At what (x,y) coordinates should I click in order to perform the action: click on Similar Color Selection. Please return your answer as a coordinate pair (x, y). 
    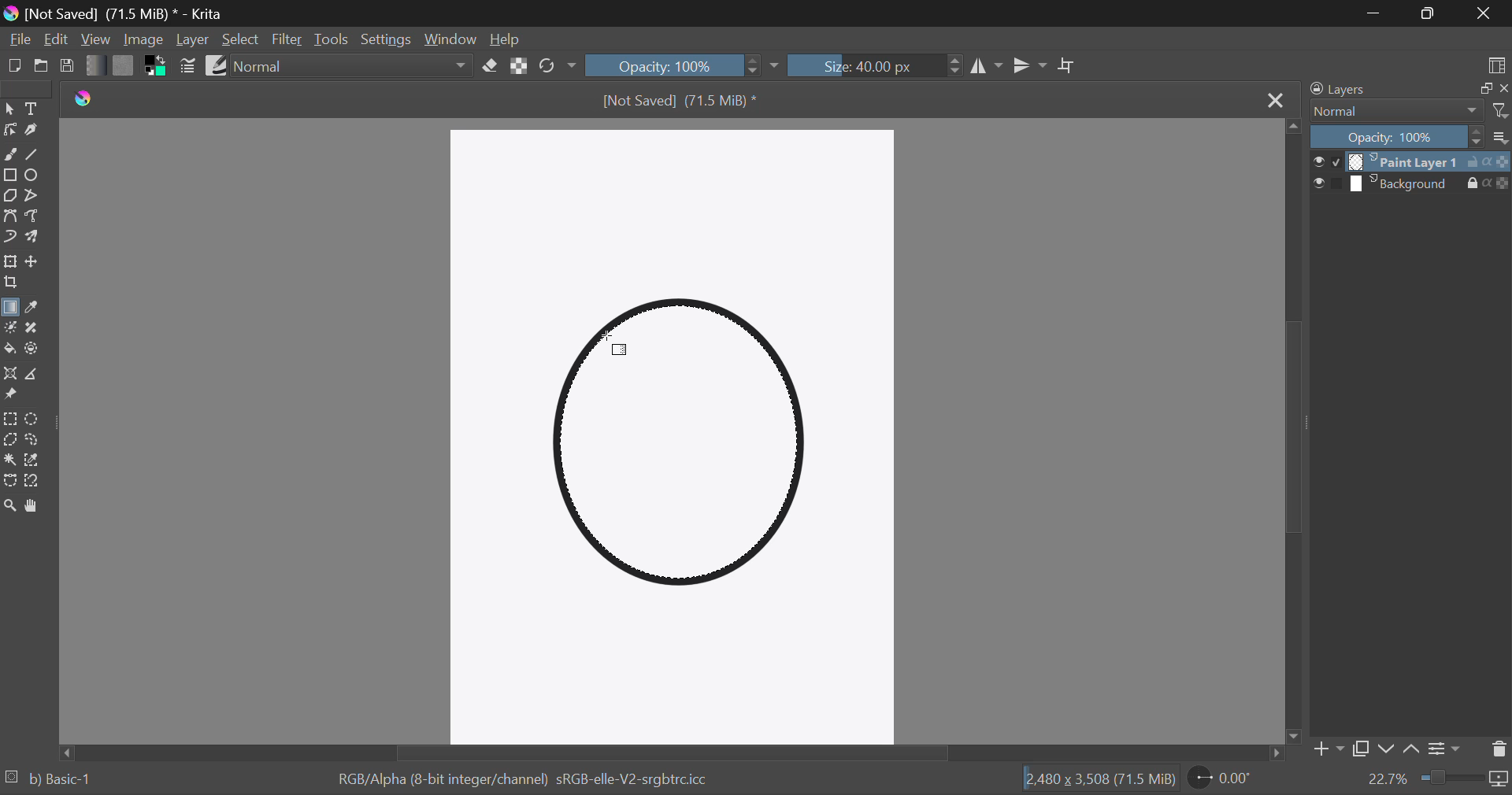
    Looking at the image, I should click on (39, 459).